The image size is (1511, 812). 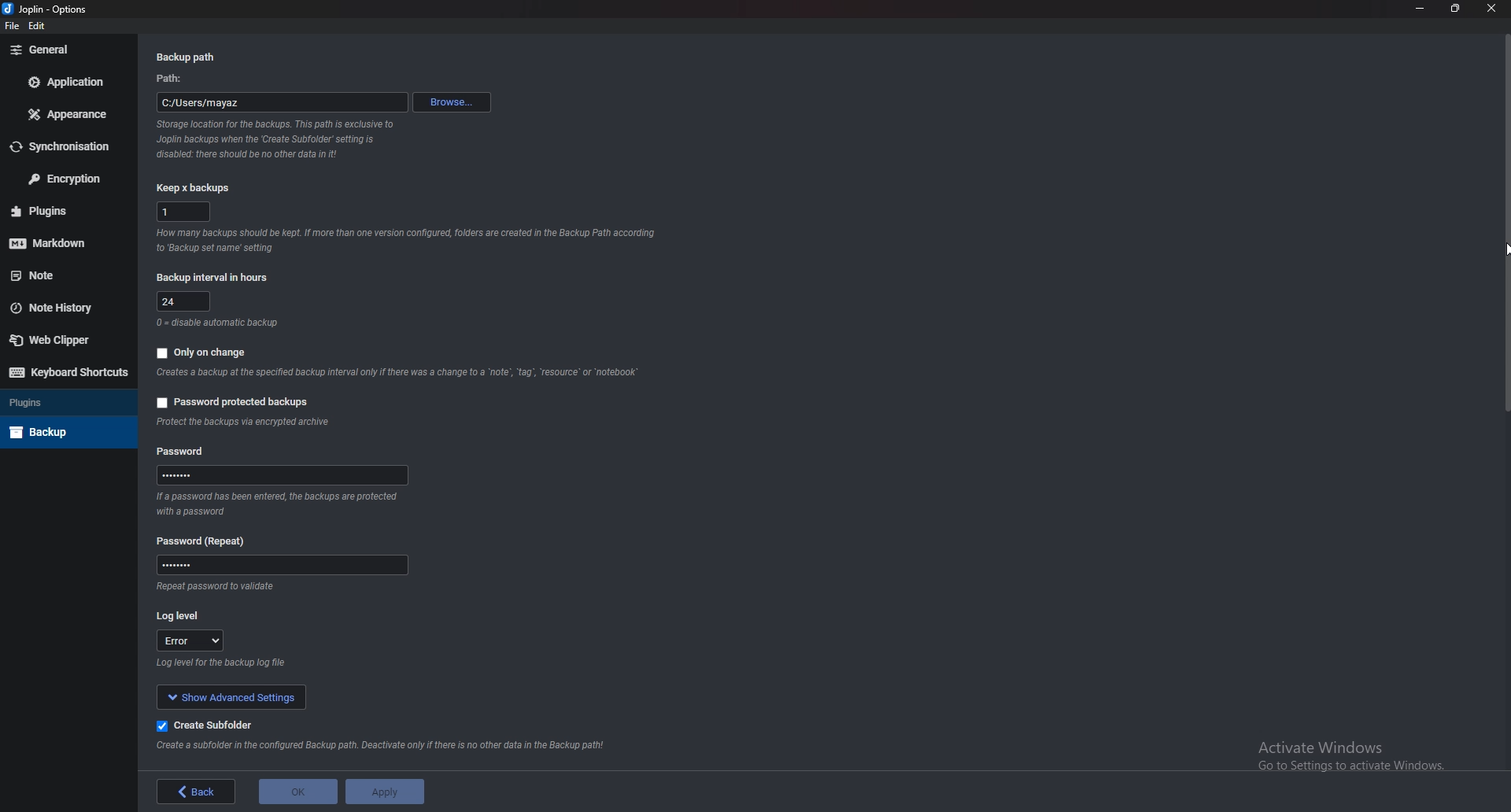 I want to click on info, so click(x=214, y=587).